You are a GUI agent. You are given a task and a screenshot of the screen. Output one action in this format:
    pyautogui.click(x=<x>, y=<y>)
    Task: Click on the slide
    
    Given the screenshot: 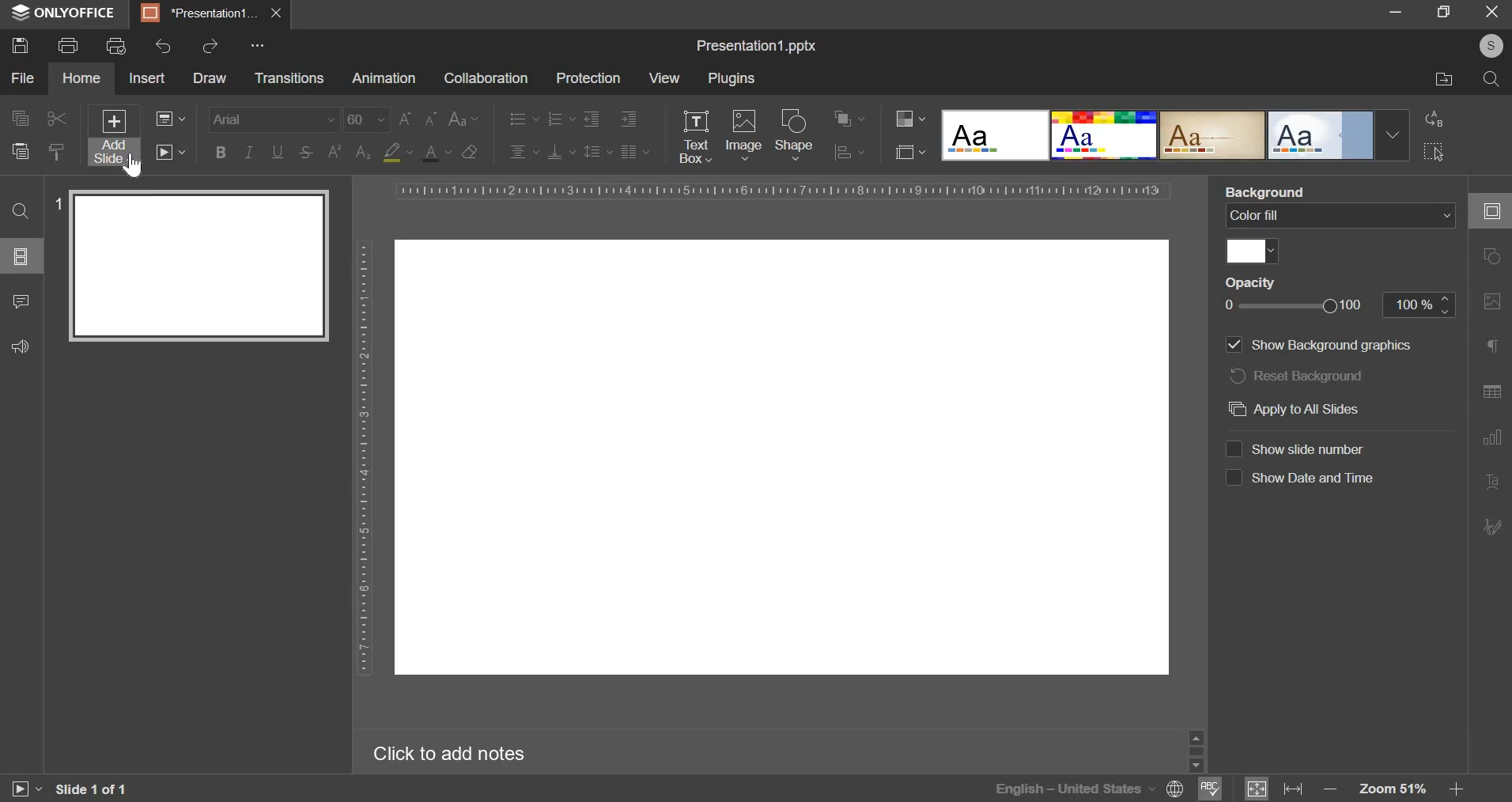 What is the action you would take?
    pyautogui.click(x=781, y=458)
    